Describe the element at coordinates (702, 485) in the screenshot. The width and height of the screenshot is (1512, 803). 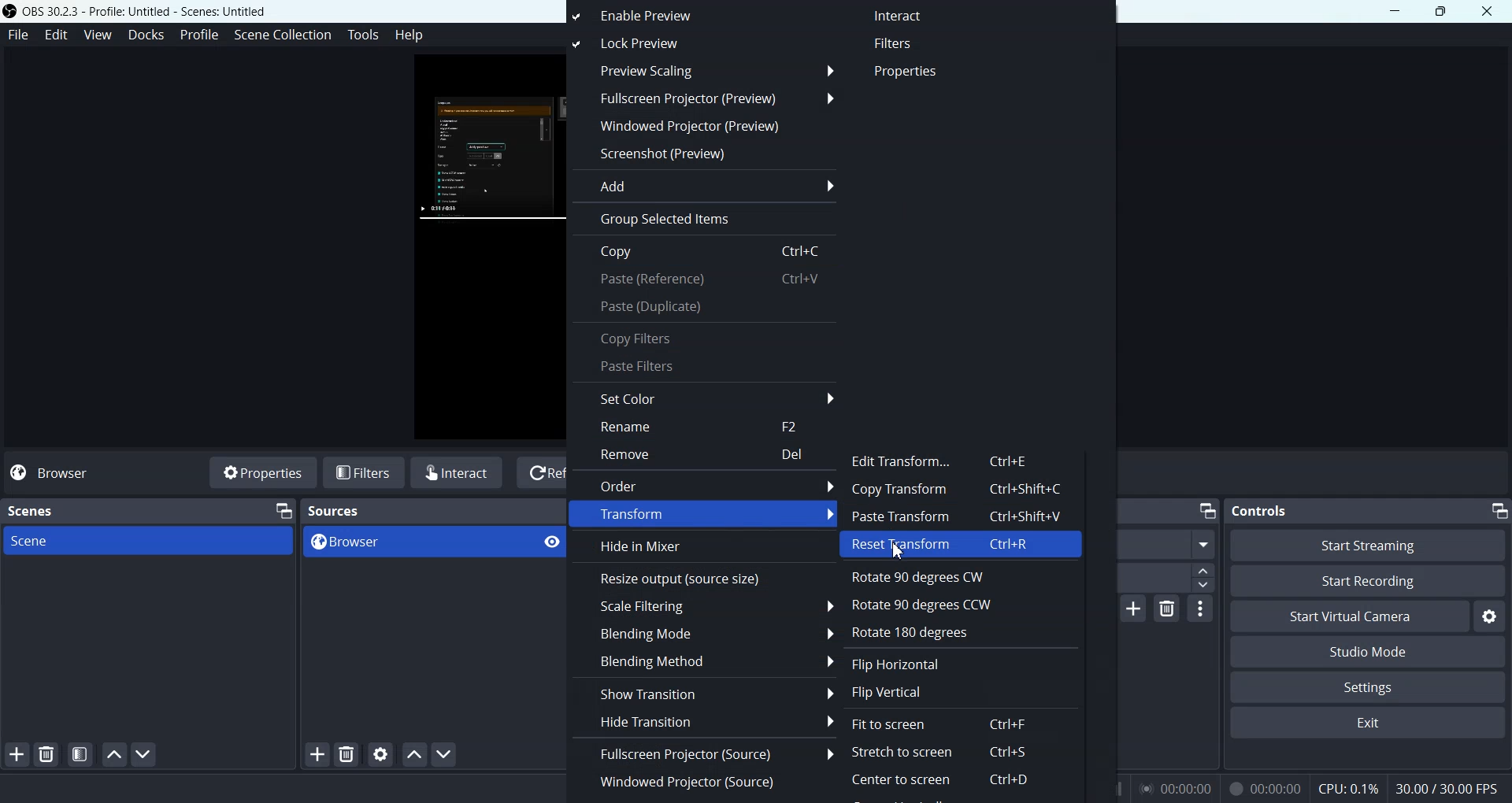
I see `Order` at that location.